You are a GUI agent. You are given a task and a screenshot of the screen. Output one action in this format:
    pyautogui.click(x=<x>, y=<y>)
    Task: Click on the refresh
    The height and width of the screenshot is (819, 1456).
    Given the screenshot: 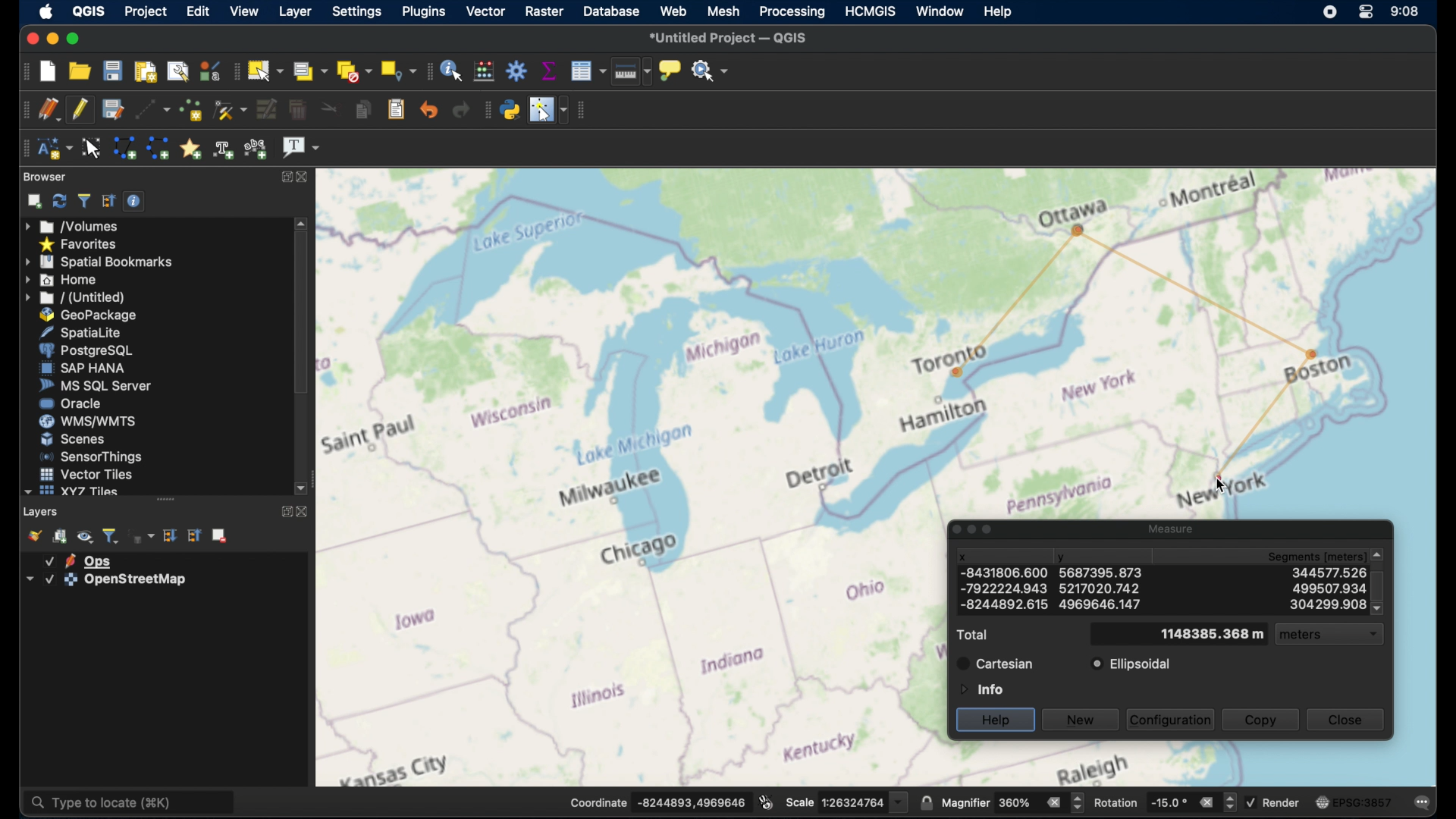 What is the action you would take?
    pyautogui.click(x=58, y=201)
    